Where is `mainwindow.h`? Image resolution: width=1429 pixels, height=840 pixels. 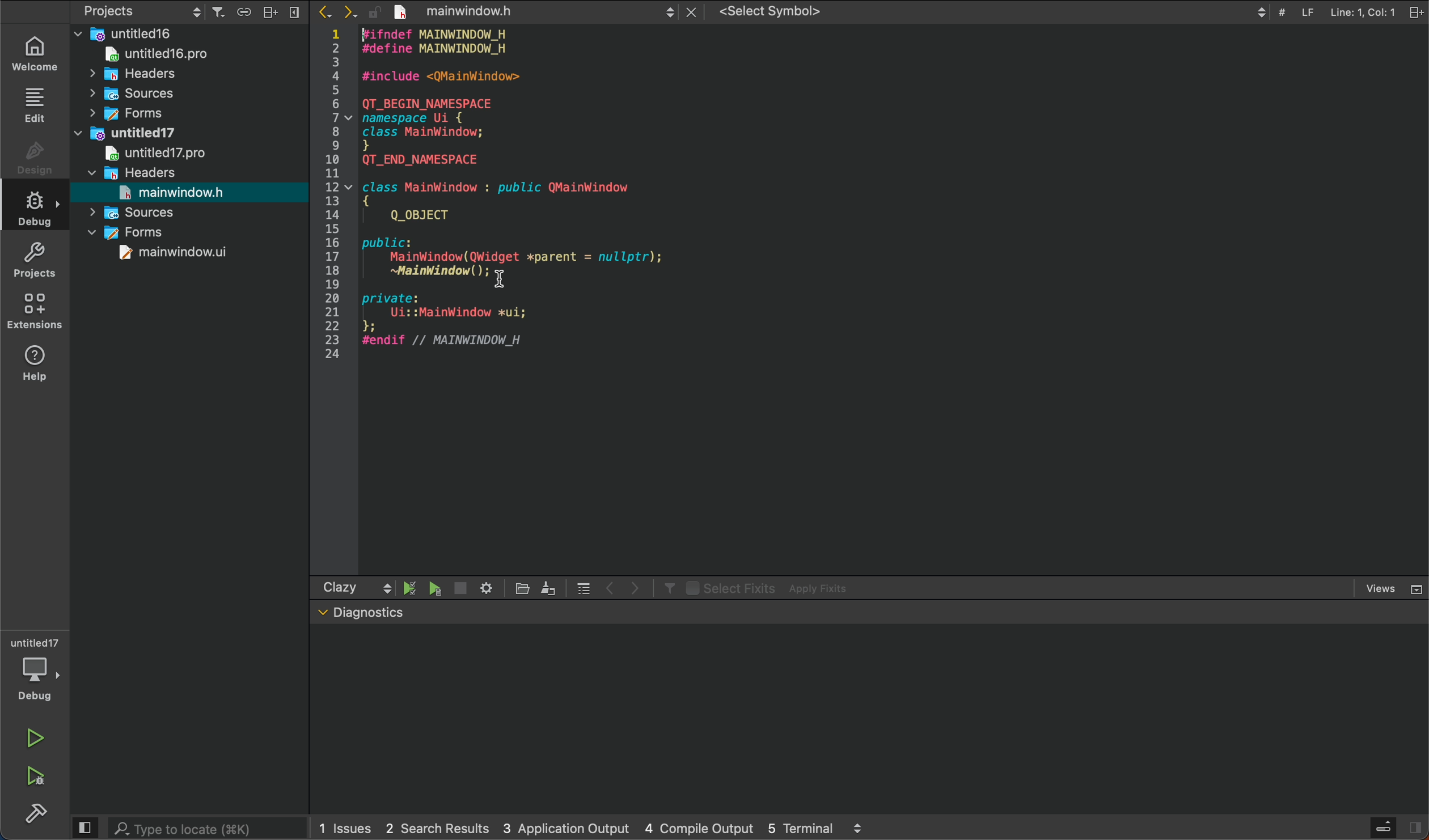 mainwindow.h is located at coordinates (172, 192).